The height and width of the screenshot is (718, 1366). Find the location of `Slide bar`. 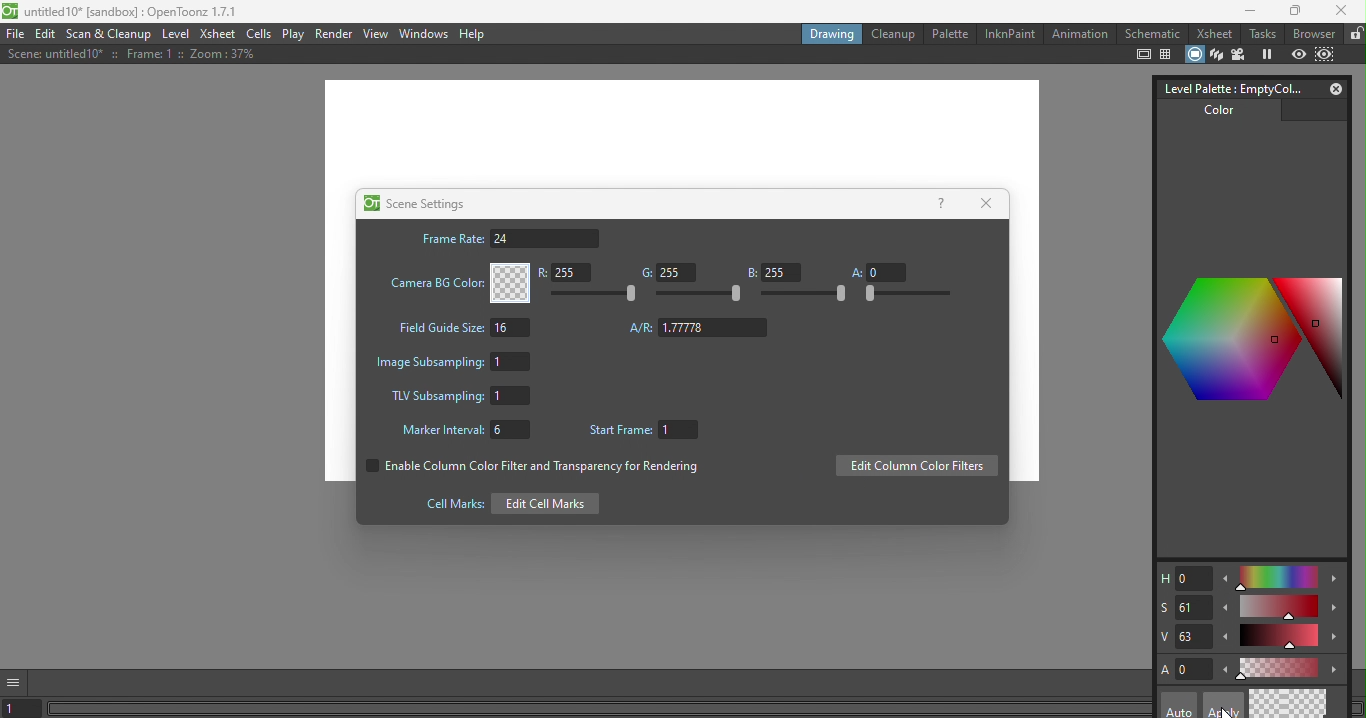

Slide bar is located at coordinates (805, 295).